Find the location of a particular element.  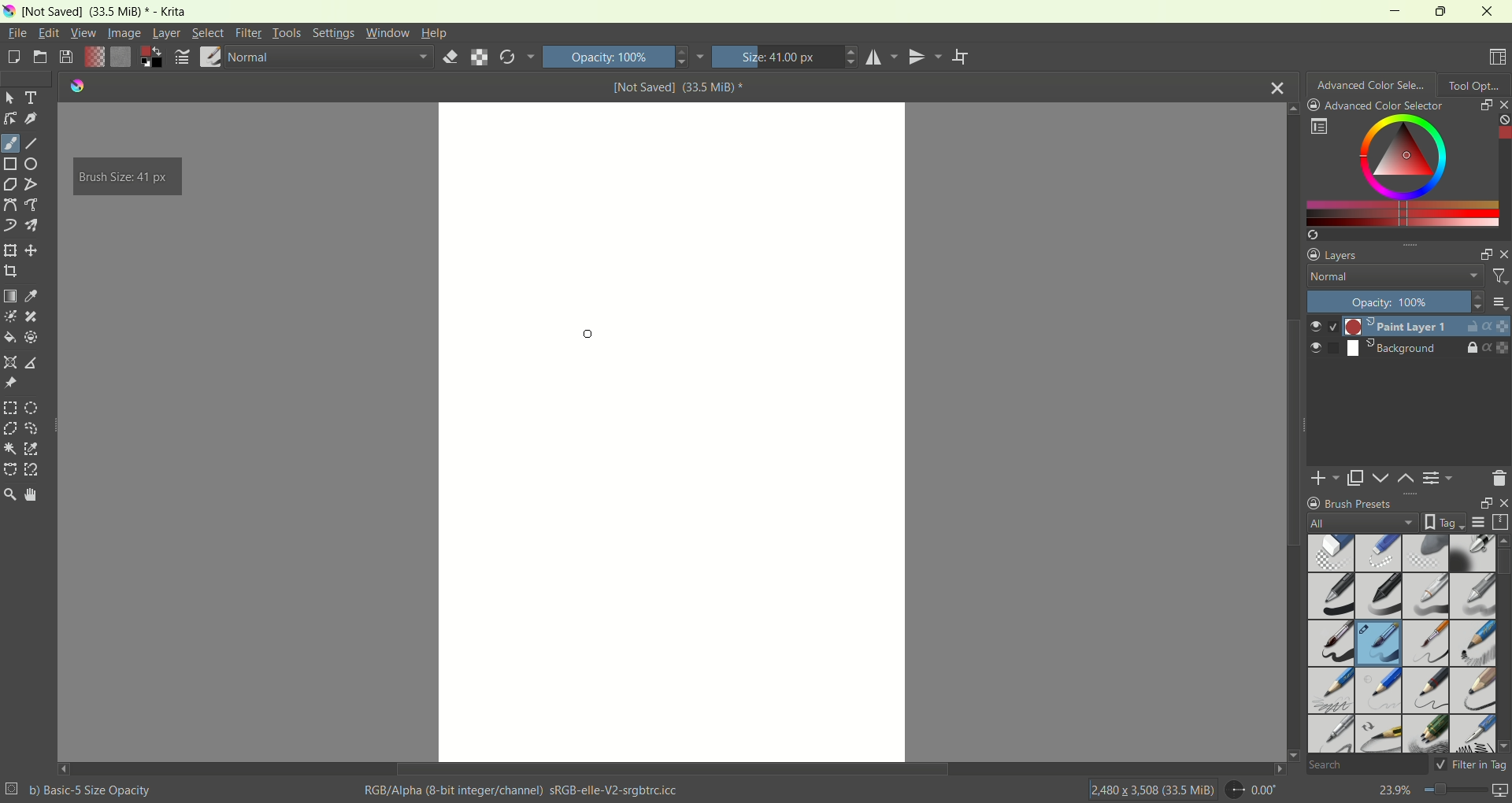

zoom is located at coordinates (9, 494).